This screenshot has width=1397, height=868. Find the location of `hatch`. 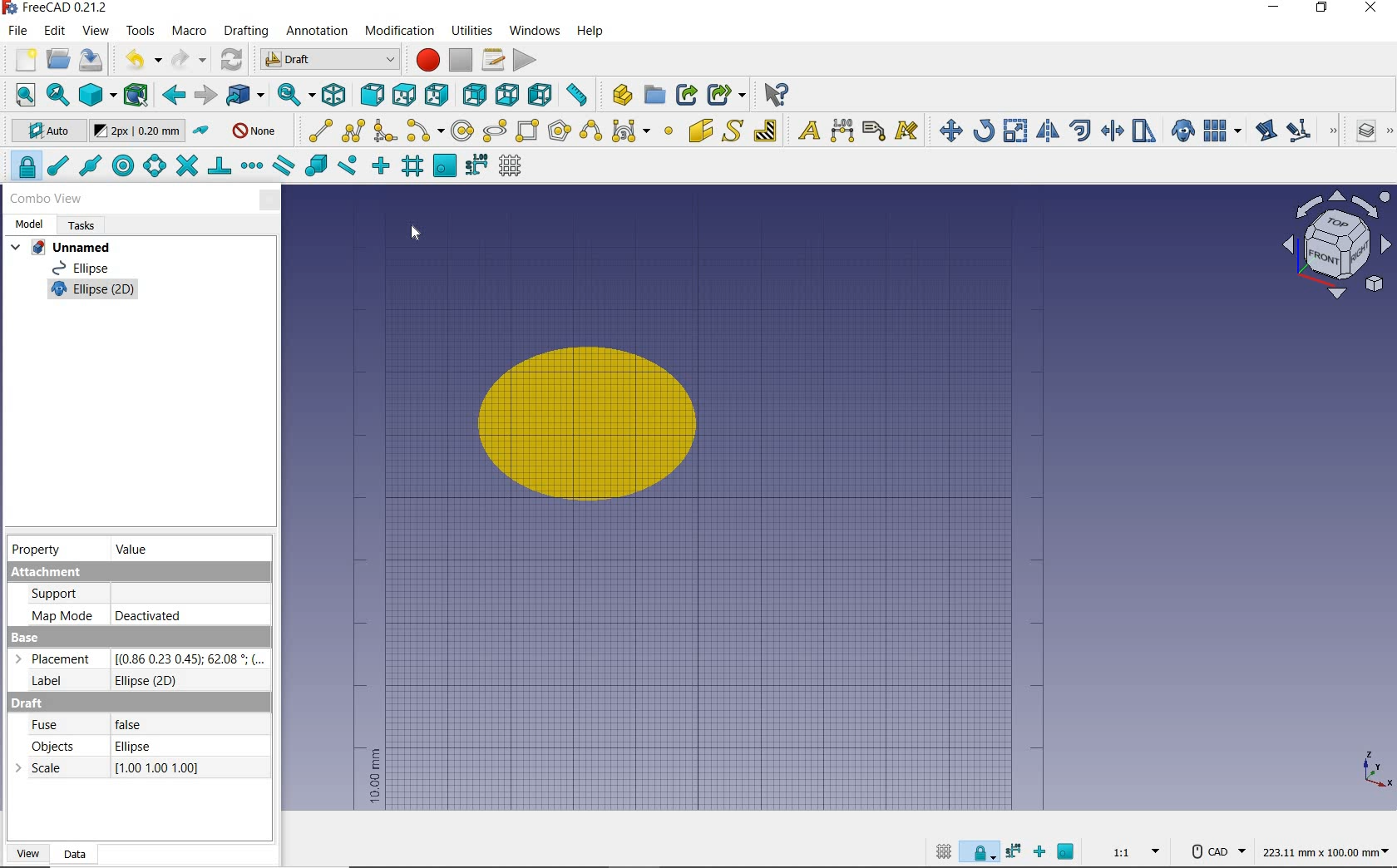

hatch is located at coordinates (766, 131).